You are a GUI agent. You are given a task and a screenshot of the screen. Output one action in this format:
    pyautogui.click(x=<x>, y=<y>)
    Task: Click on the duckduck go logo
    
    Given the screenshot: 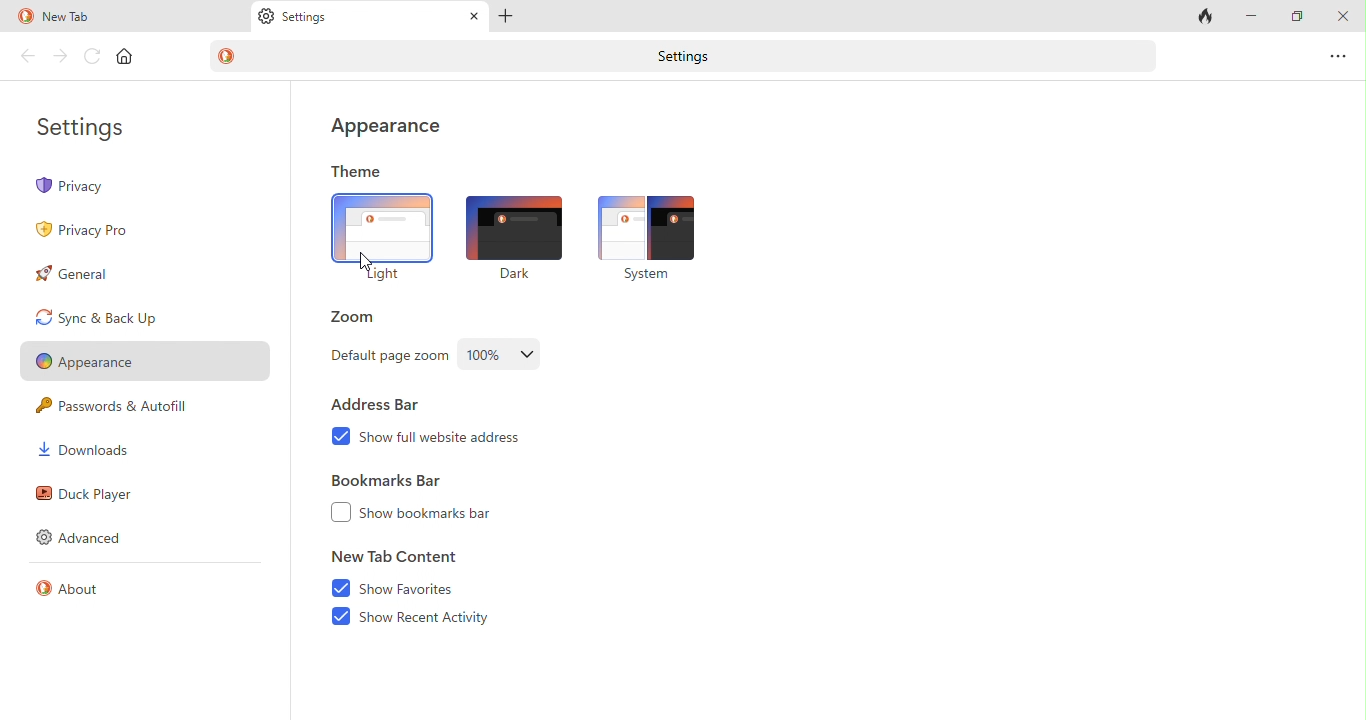 What is the action you would take?
    pyautogui.click(x=24, y=16)
    